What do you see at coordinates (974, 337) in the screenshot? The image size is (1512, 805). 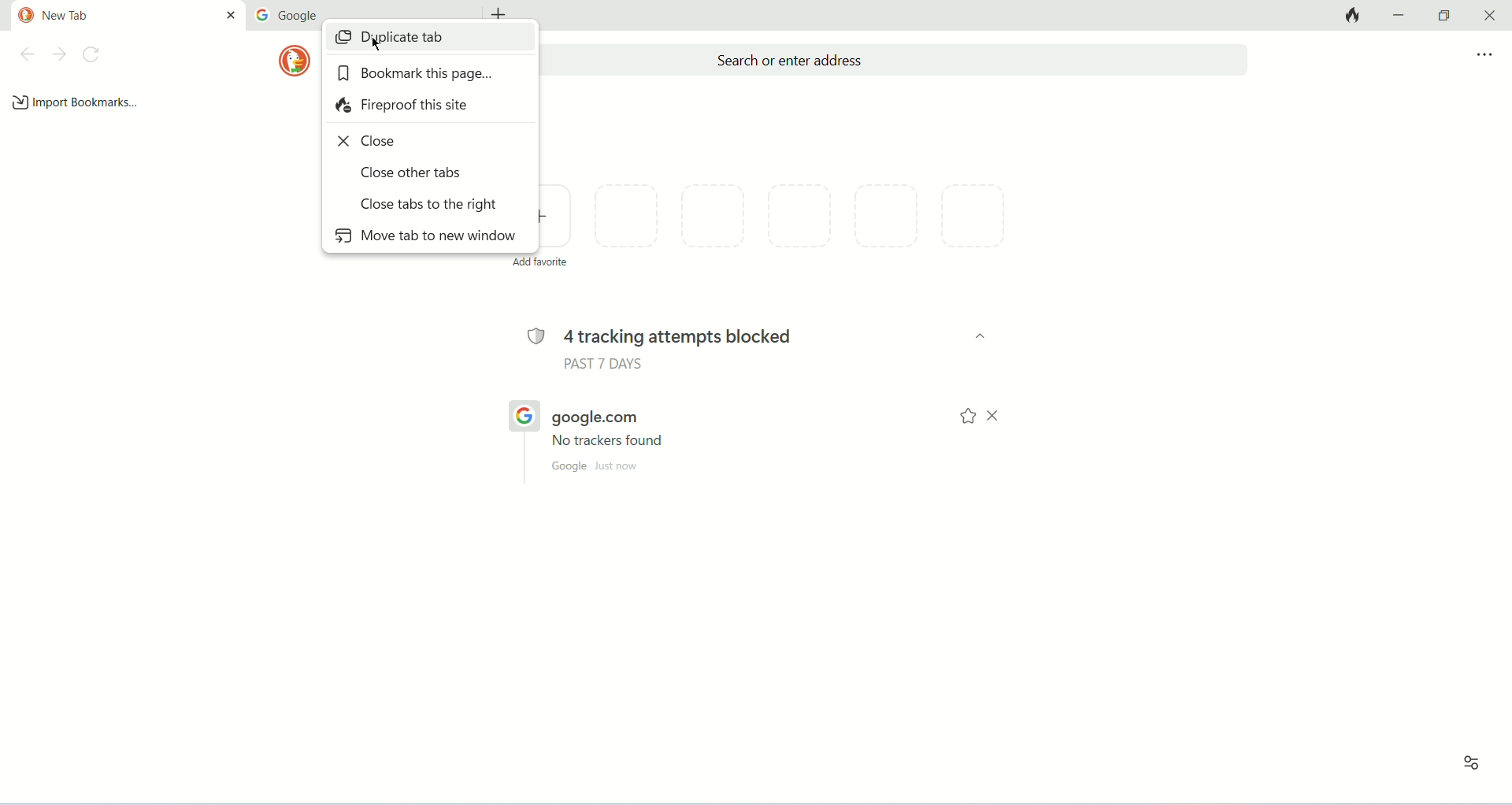 I see `dropdown` at bounding box center [974, 337].